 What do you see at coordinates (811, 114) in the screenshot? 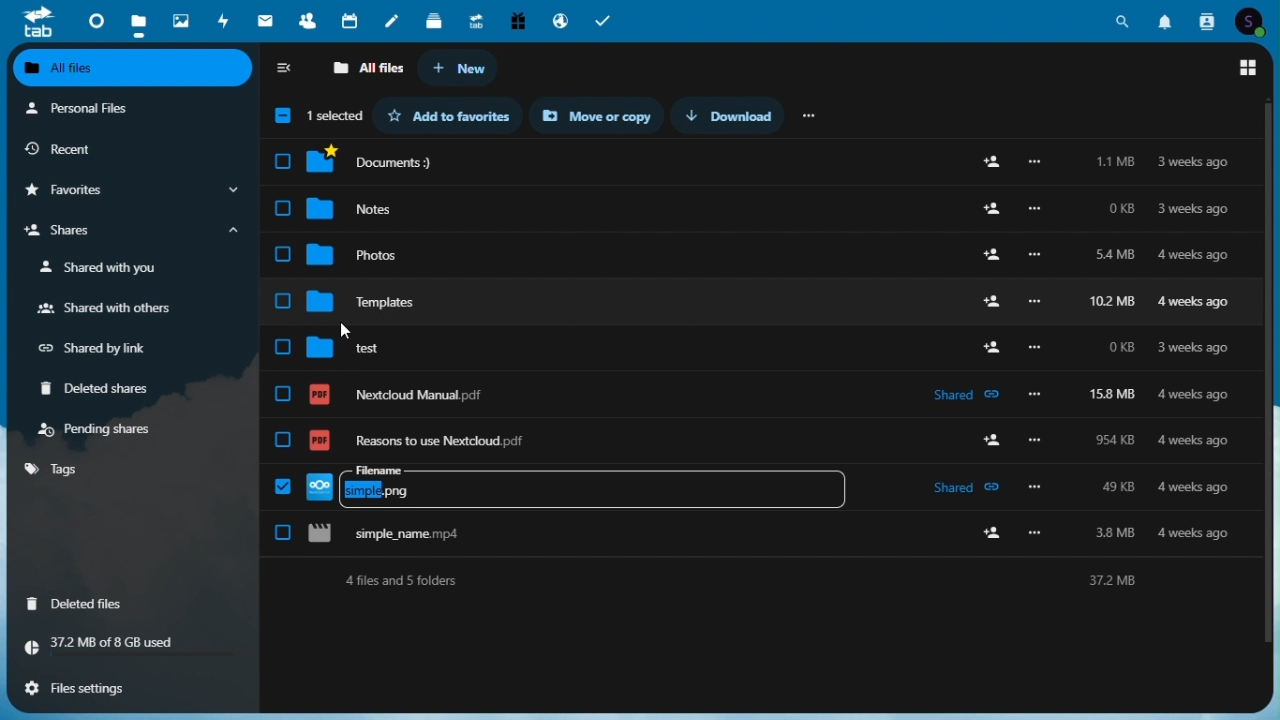
I see `more` at bounding box center [811, 114].